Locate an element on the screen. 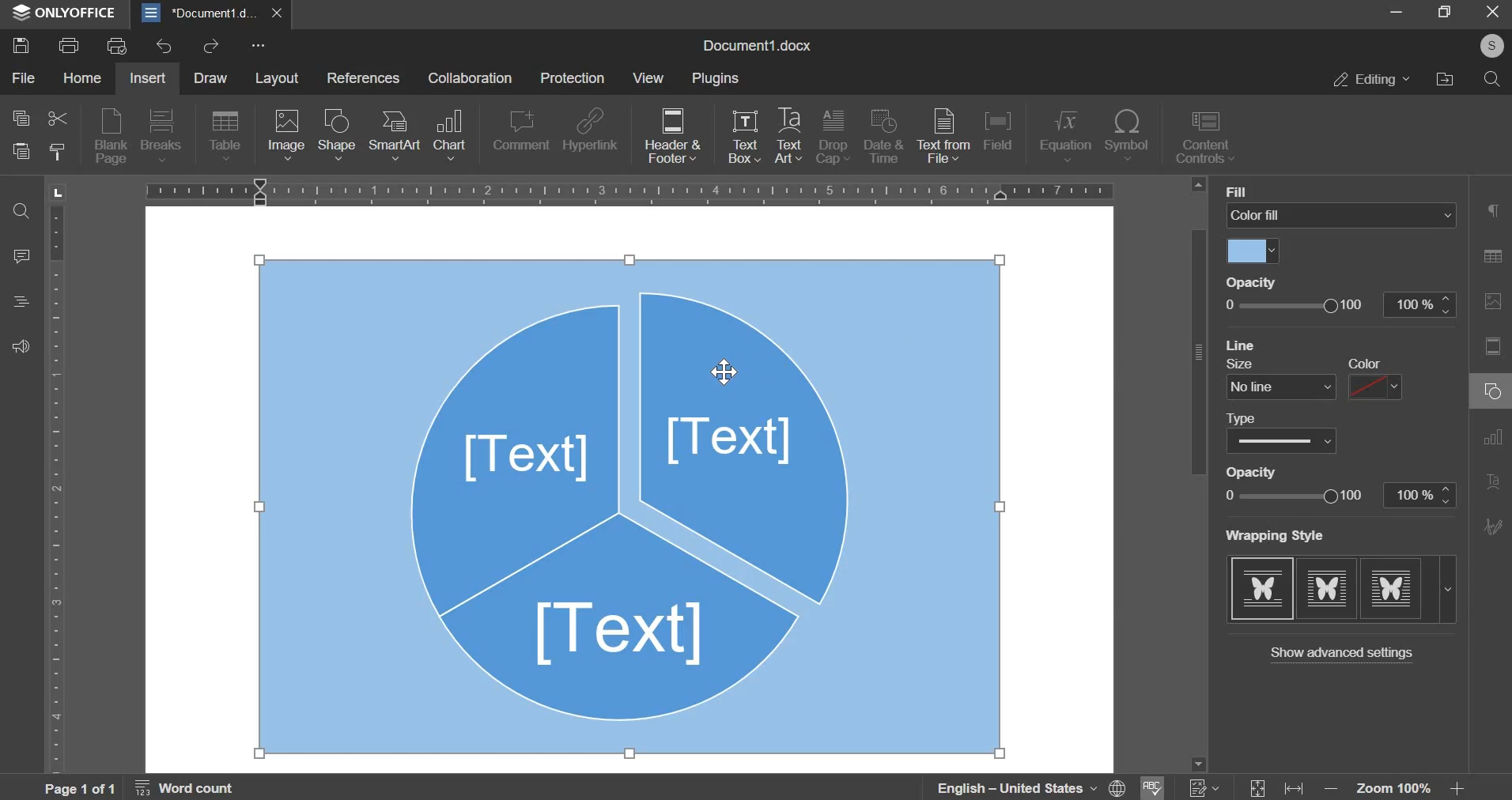 This screenshot has height=800, width=1512. spell check is located at coordinates (1151, 787).